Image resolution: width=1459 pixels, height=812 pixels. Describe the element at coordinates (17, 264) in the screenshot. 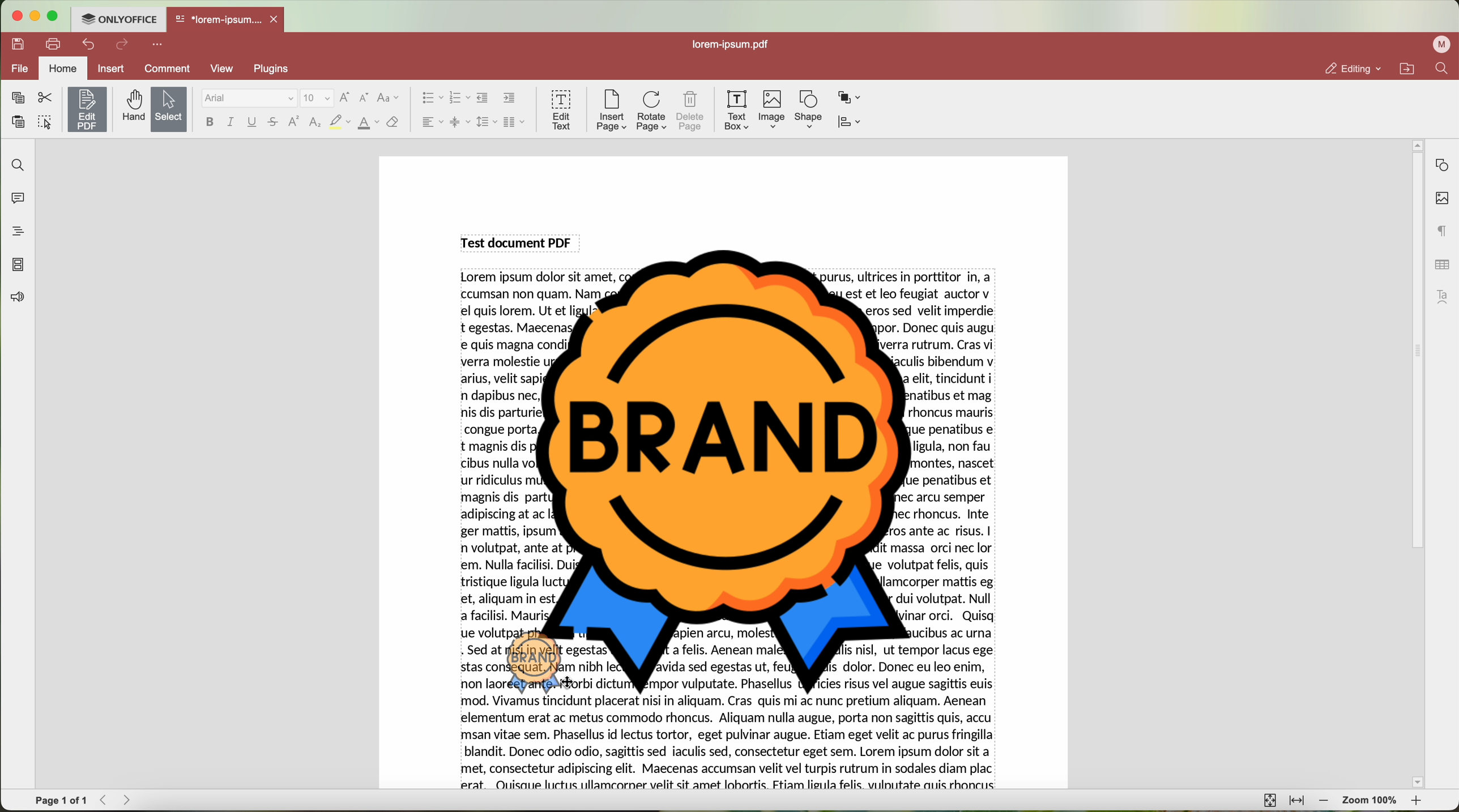

I see `page thumbnails` at that location.